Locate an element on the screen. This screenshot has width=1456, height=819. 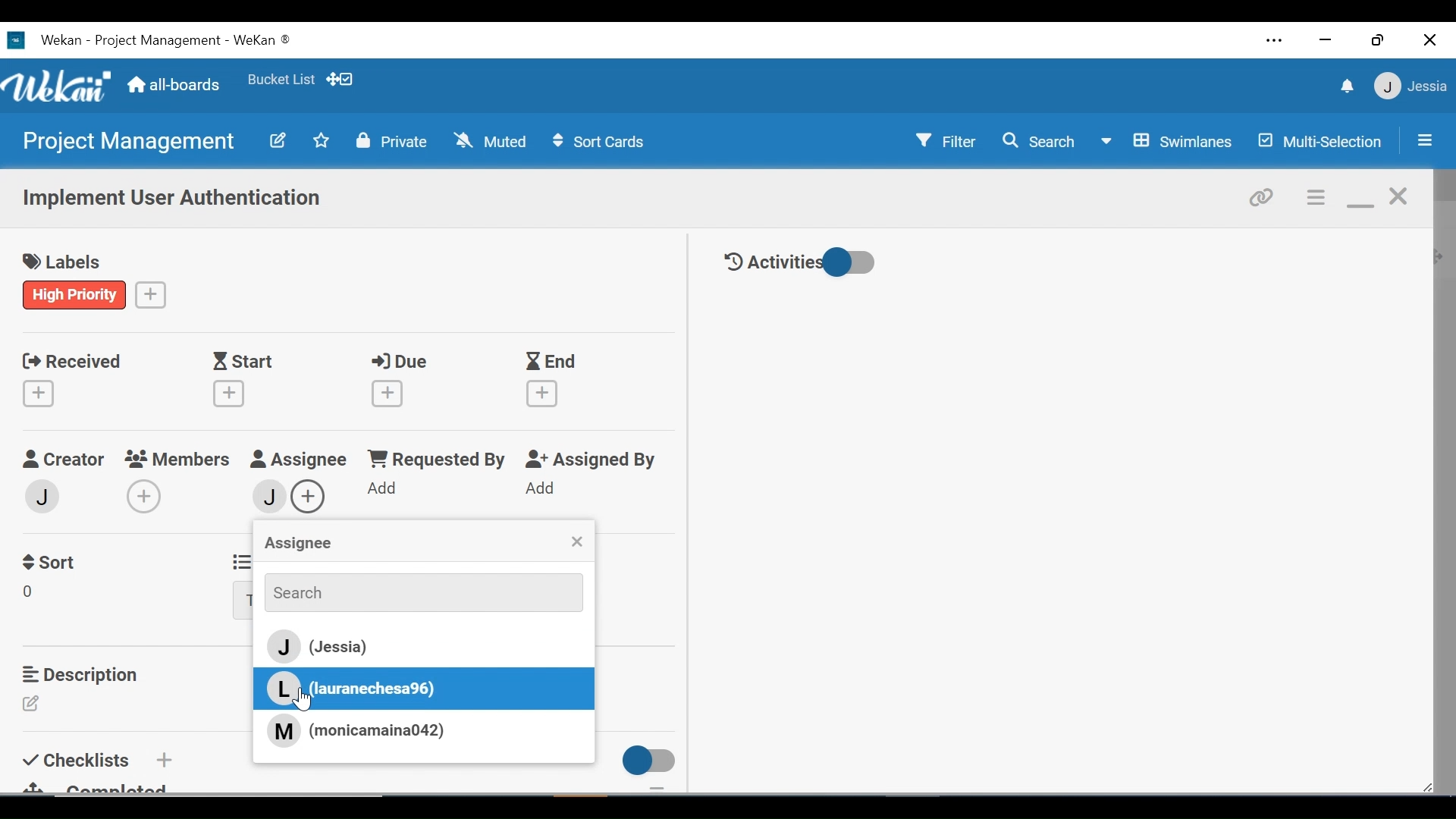
List Dropdown menu is located at coordinates (243, 601).